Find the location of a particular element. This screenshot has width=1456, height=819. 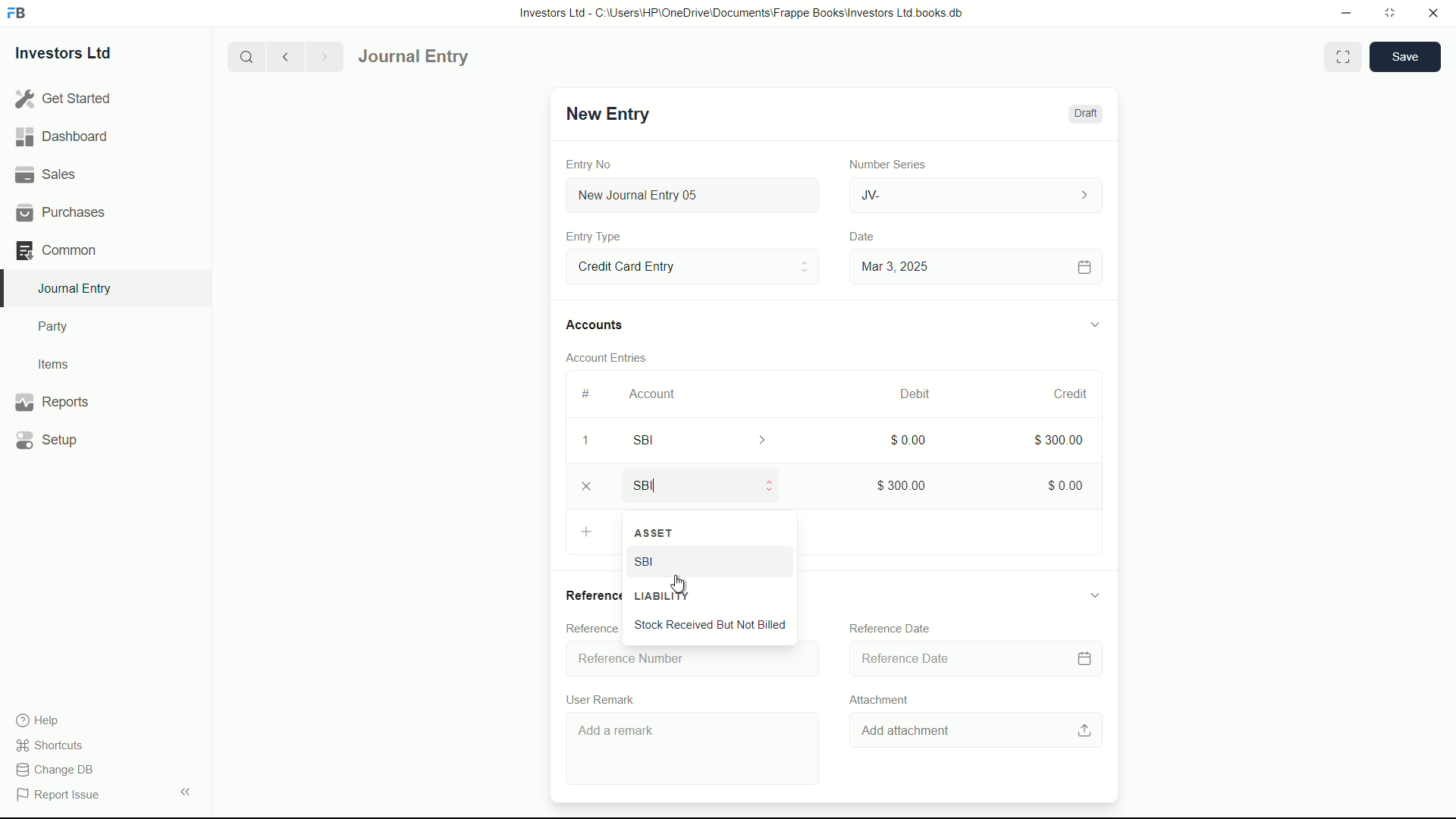

JV is located at coordinates (978, 193).